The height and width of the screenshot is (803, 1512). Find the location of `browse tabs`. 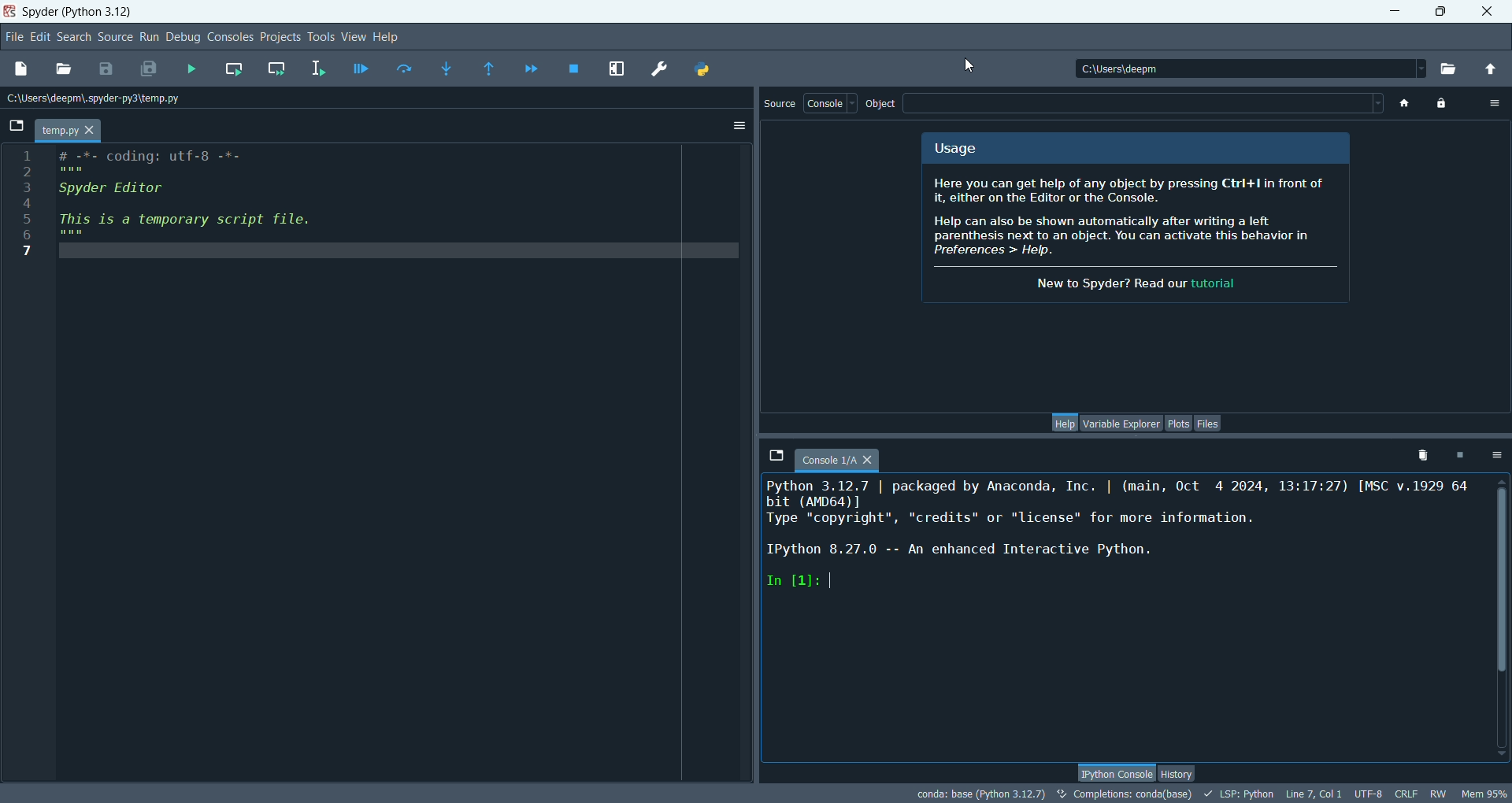

browse tabs is located at coordinates (18, 123).